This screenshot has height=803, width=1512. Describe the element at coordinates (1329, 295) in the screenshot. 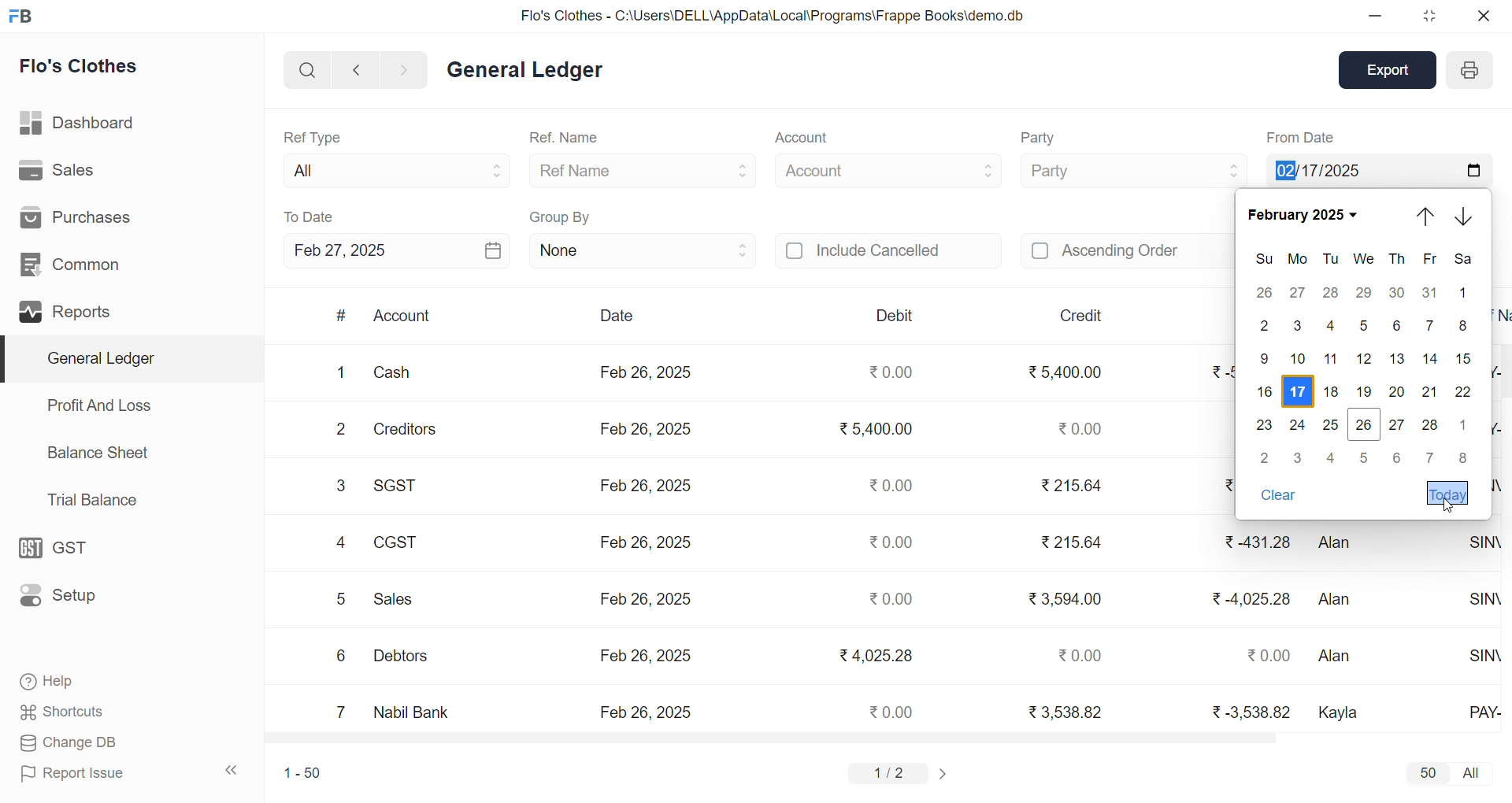

I see `28` at that location.